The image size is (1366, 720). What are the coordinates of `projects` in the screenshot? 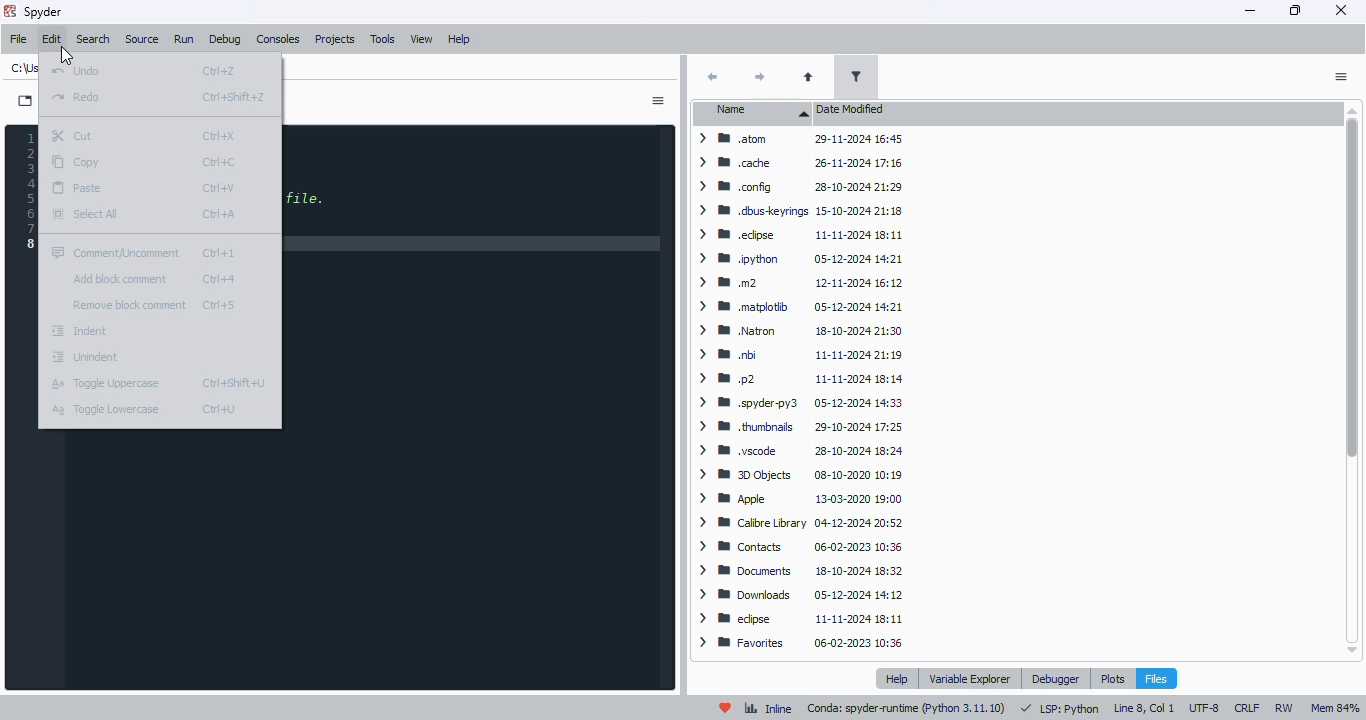 It's located at (335, 39).